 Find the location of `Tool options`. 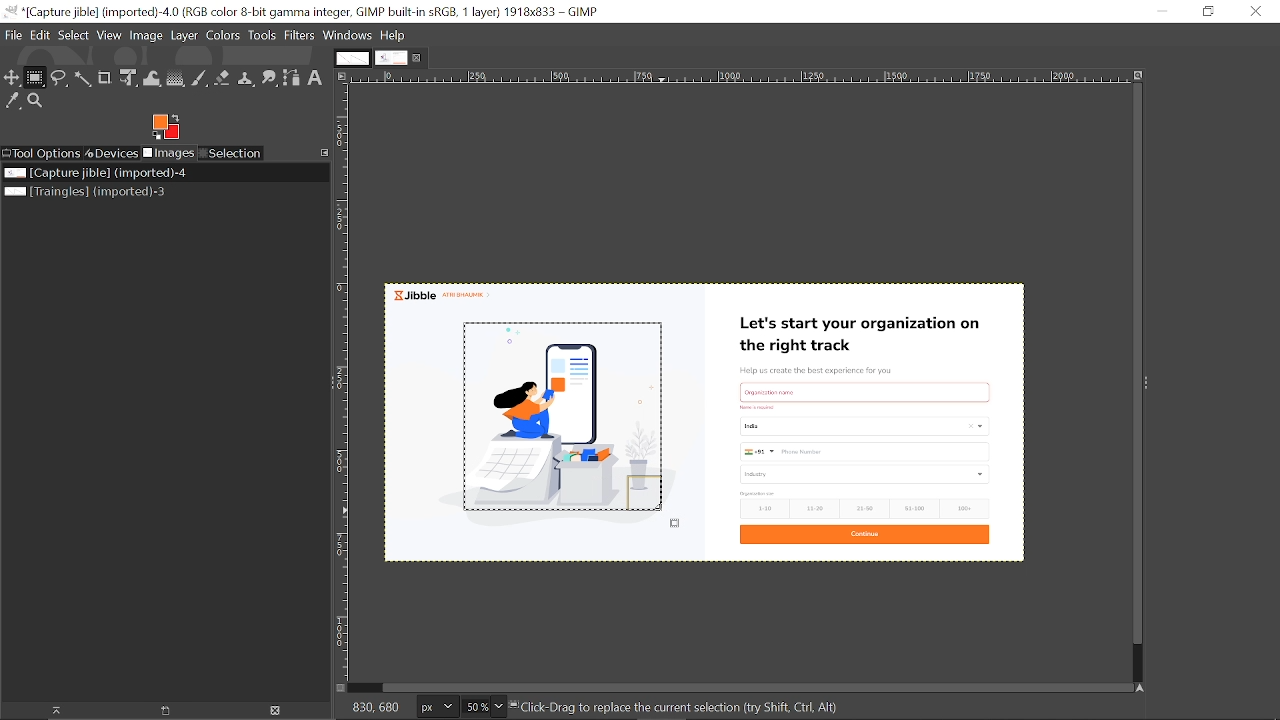

Tool options is located at coordinates (43, 153).